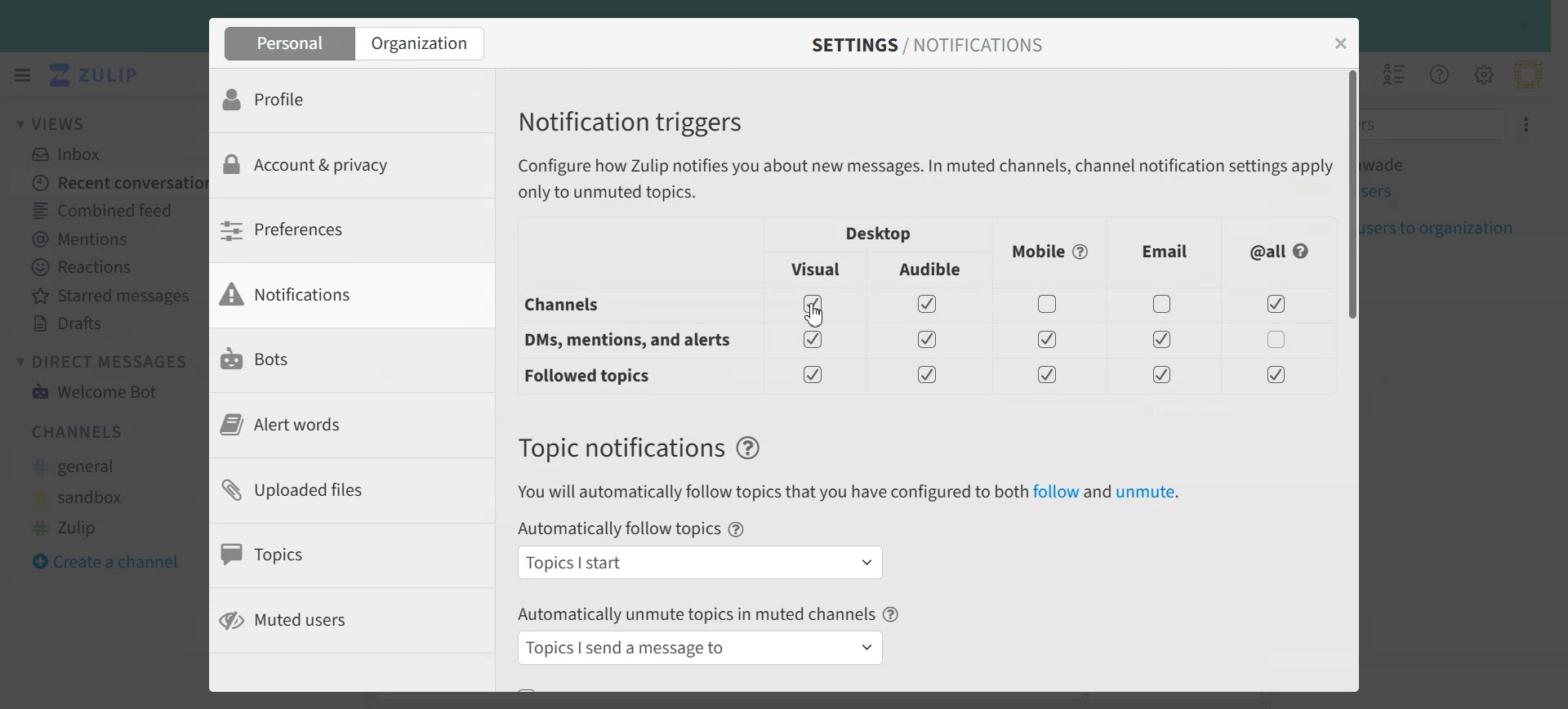  Describe the element at coordinates (1051, 252) in the screenshot. I see `Mobile` at that location.